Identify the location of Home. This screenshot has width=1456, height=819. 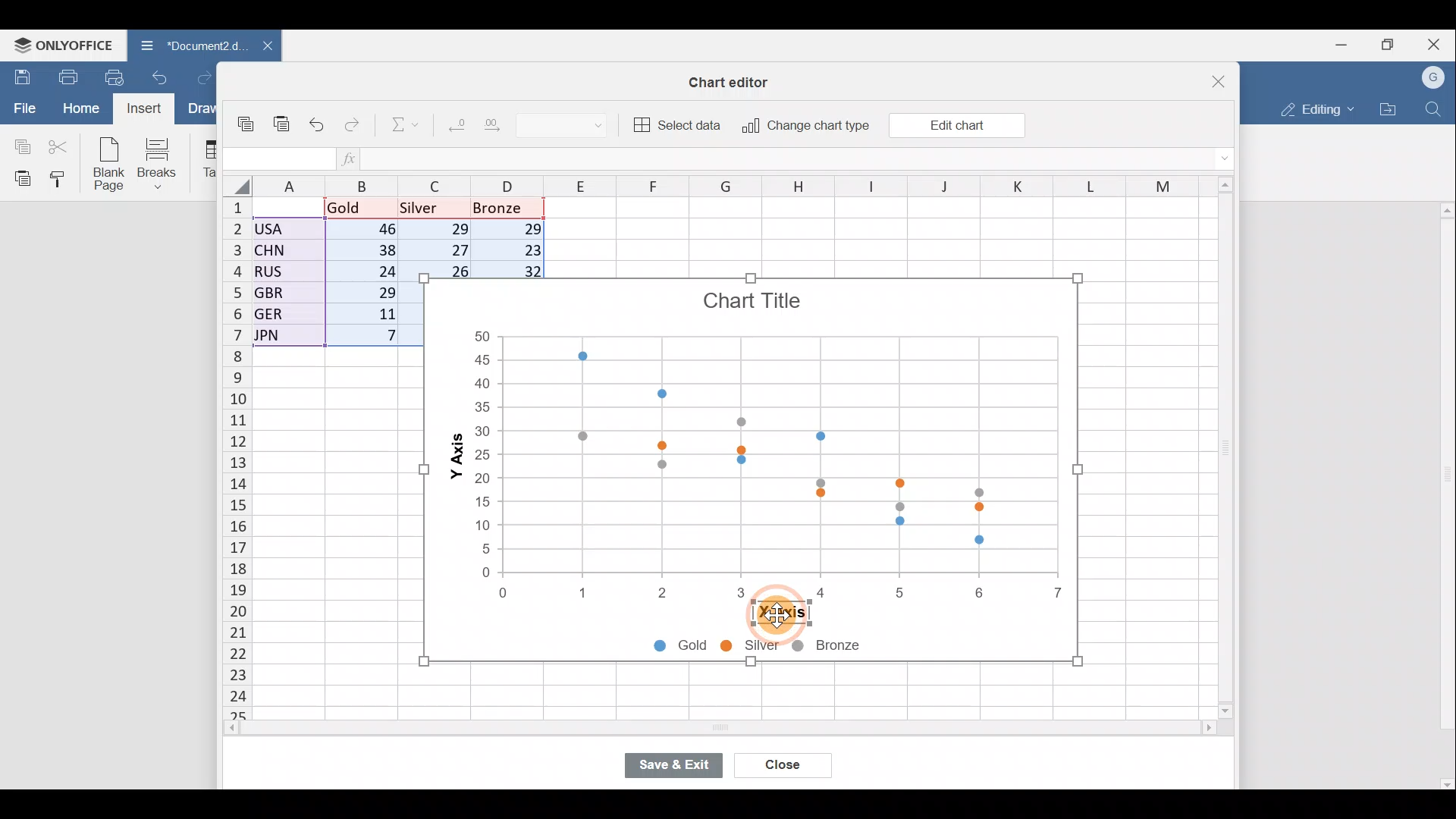
(78, 111).